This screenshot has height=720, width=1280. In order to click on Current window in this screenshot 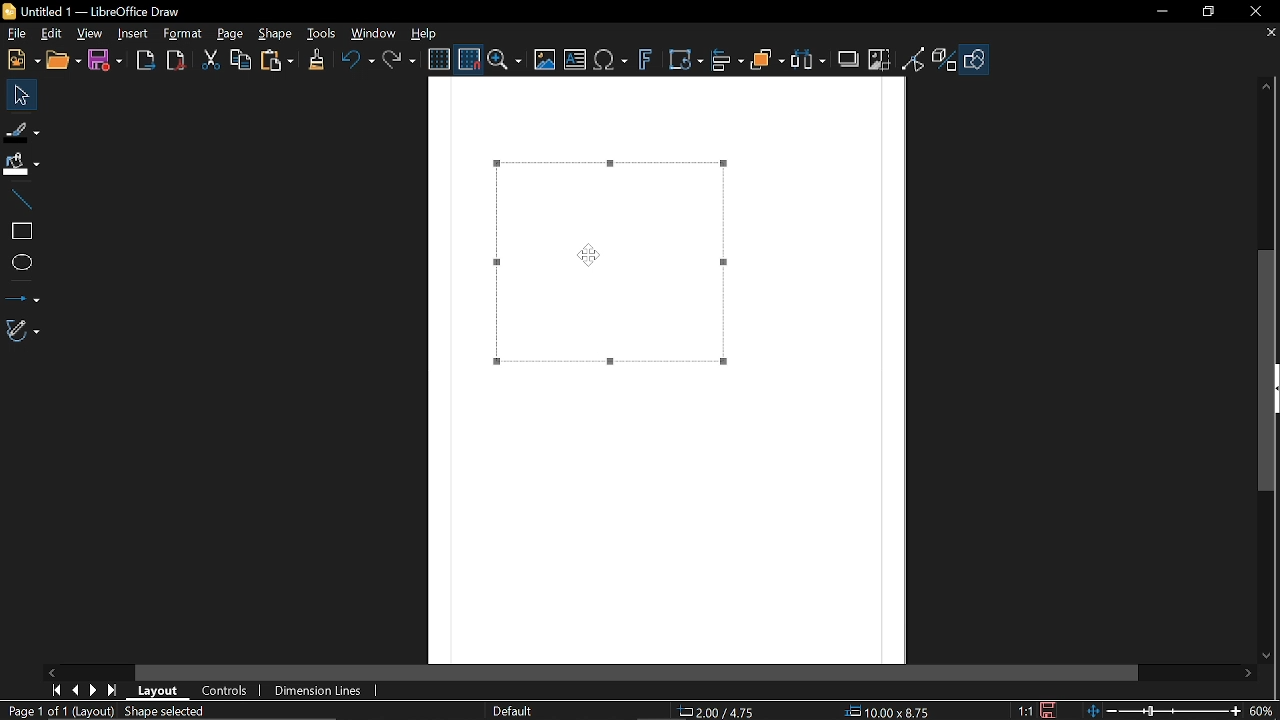, I will do `click(95, 12)`.